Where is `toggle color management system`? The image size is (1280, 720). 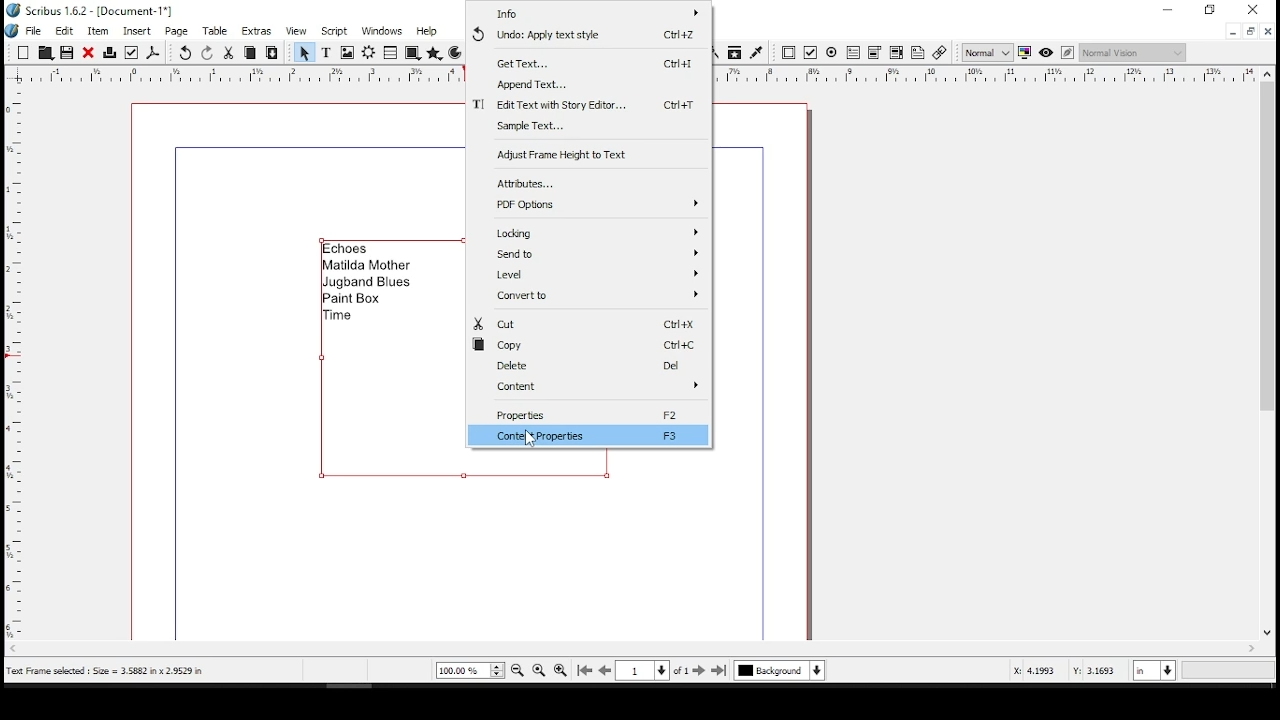 toggle color management system is located at coordinates (1024, 54).